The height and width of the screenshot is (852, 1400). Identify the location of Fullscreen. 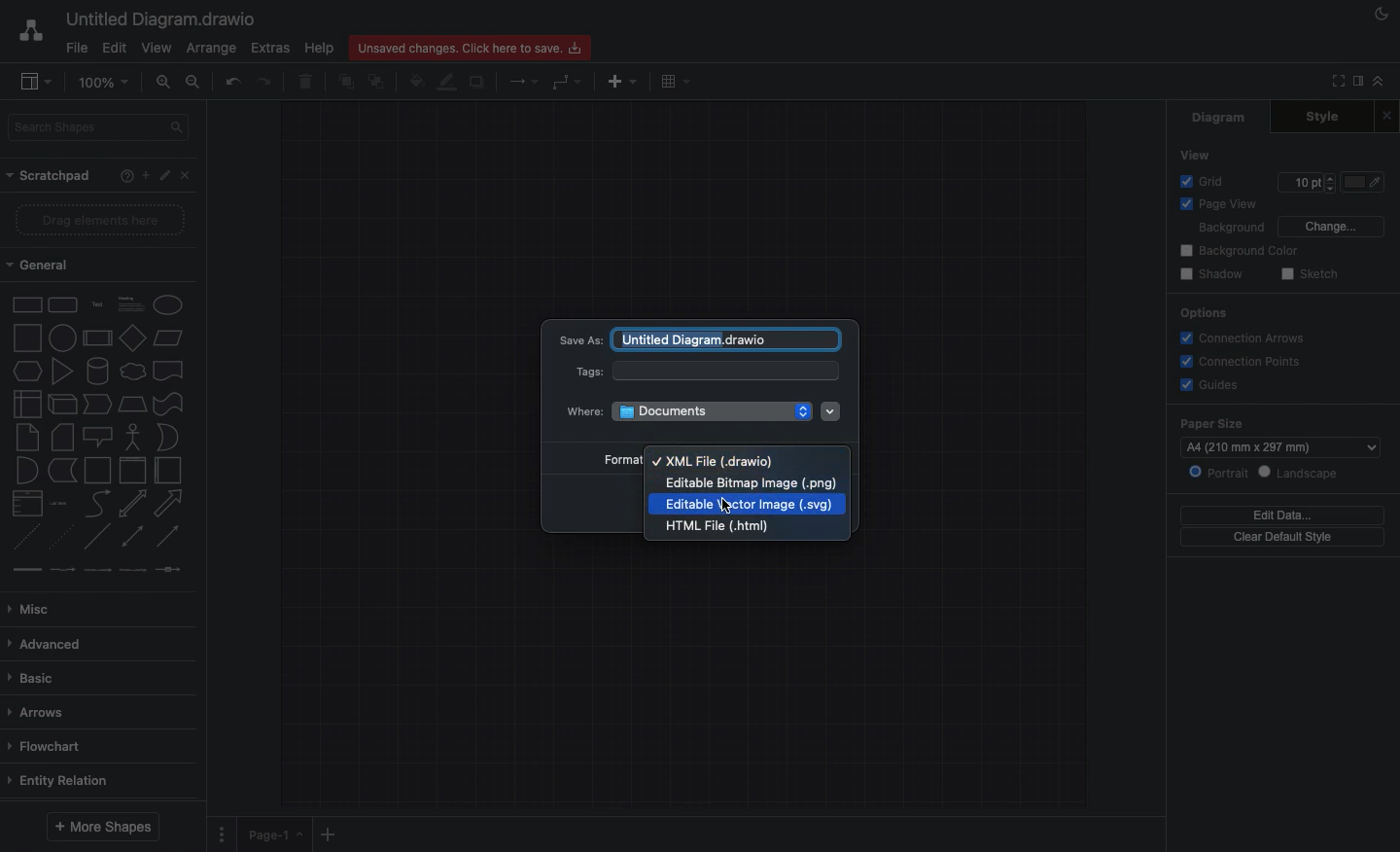
(1335, 83).